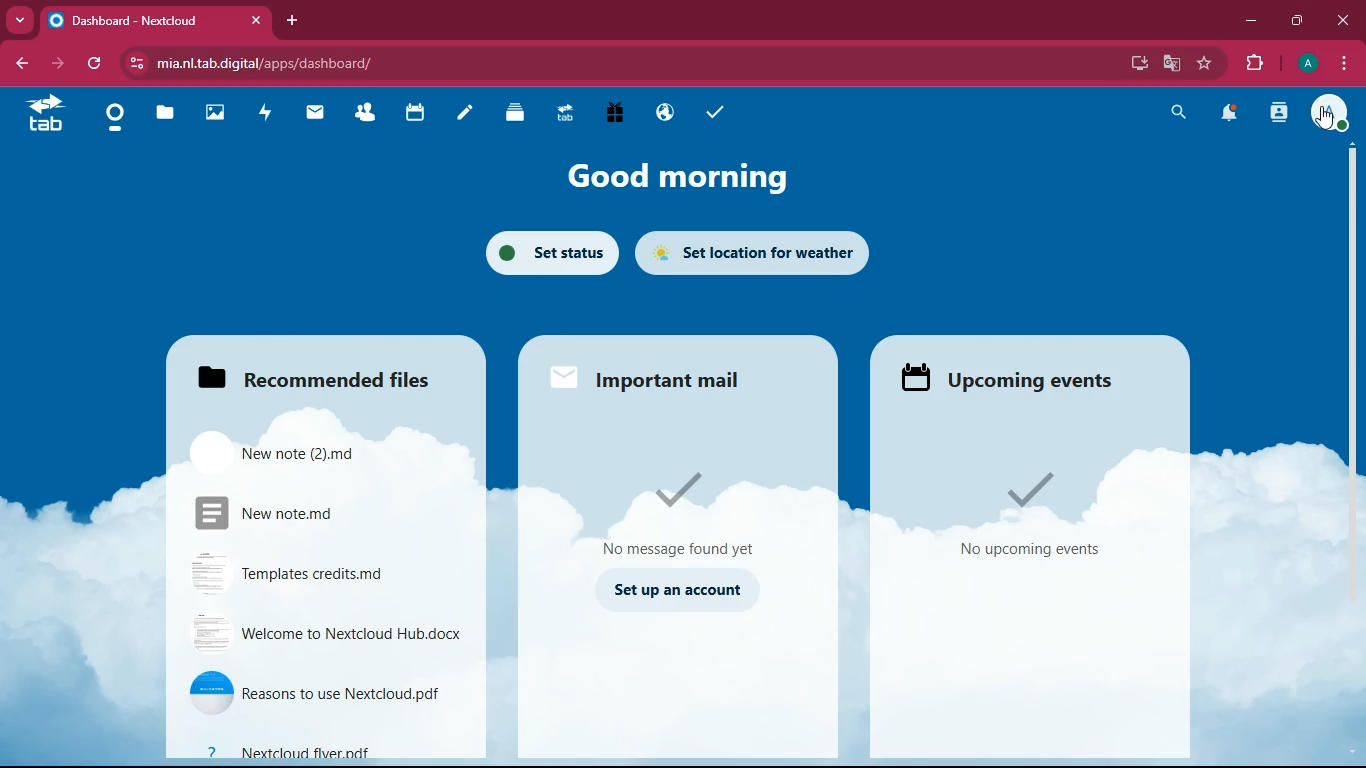  What do you see at coordinates (127, 21) in the screenshot?
I see `tab` at bounding box center [127, 21].